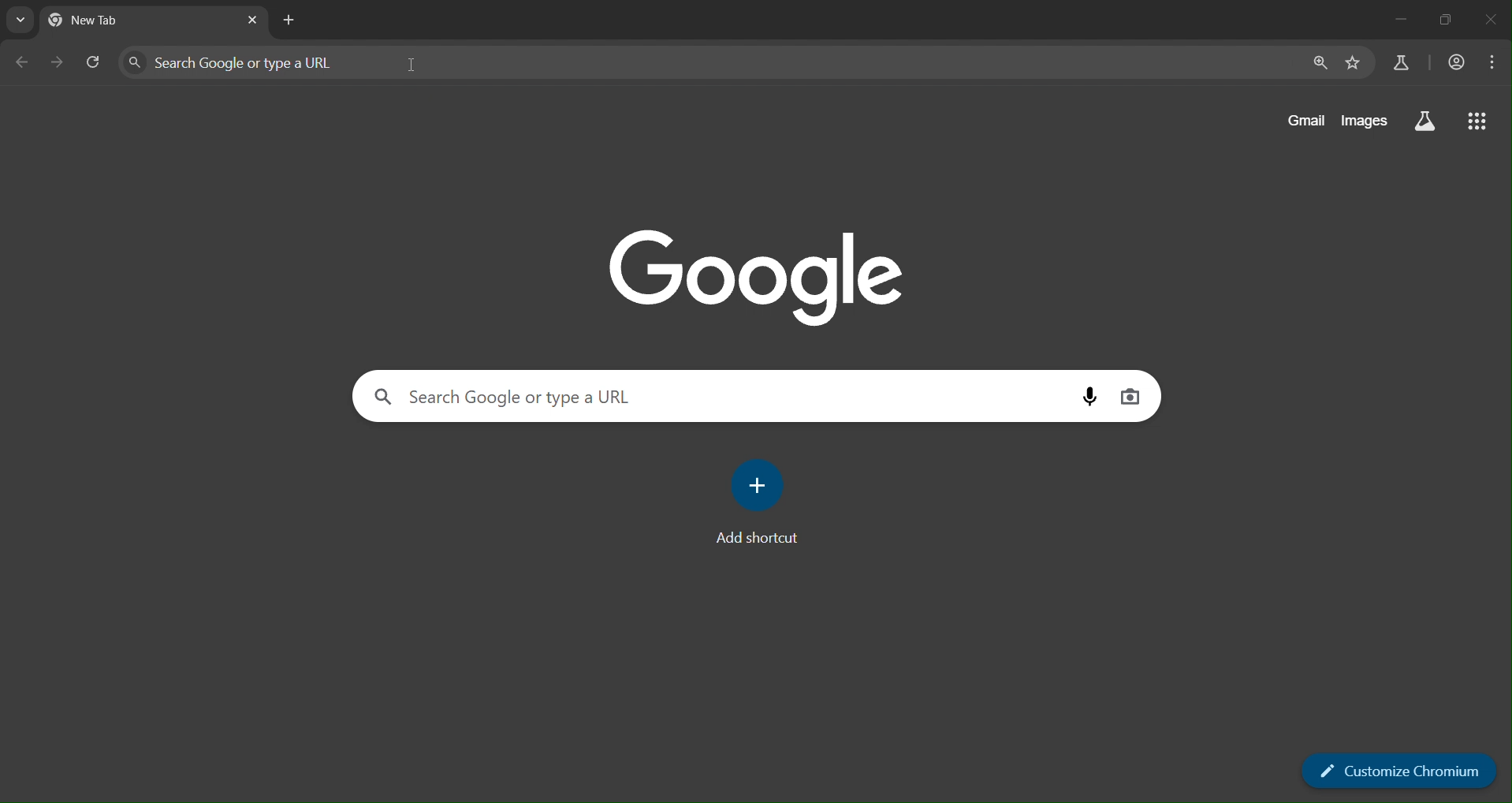  Describe the element at coordinates (120, 21) in the screenshot. I see `current tabs` at that location.